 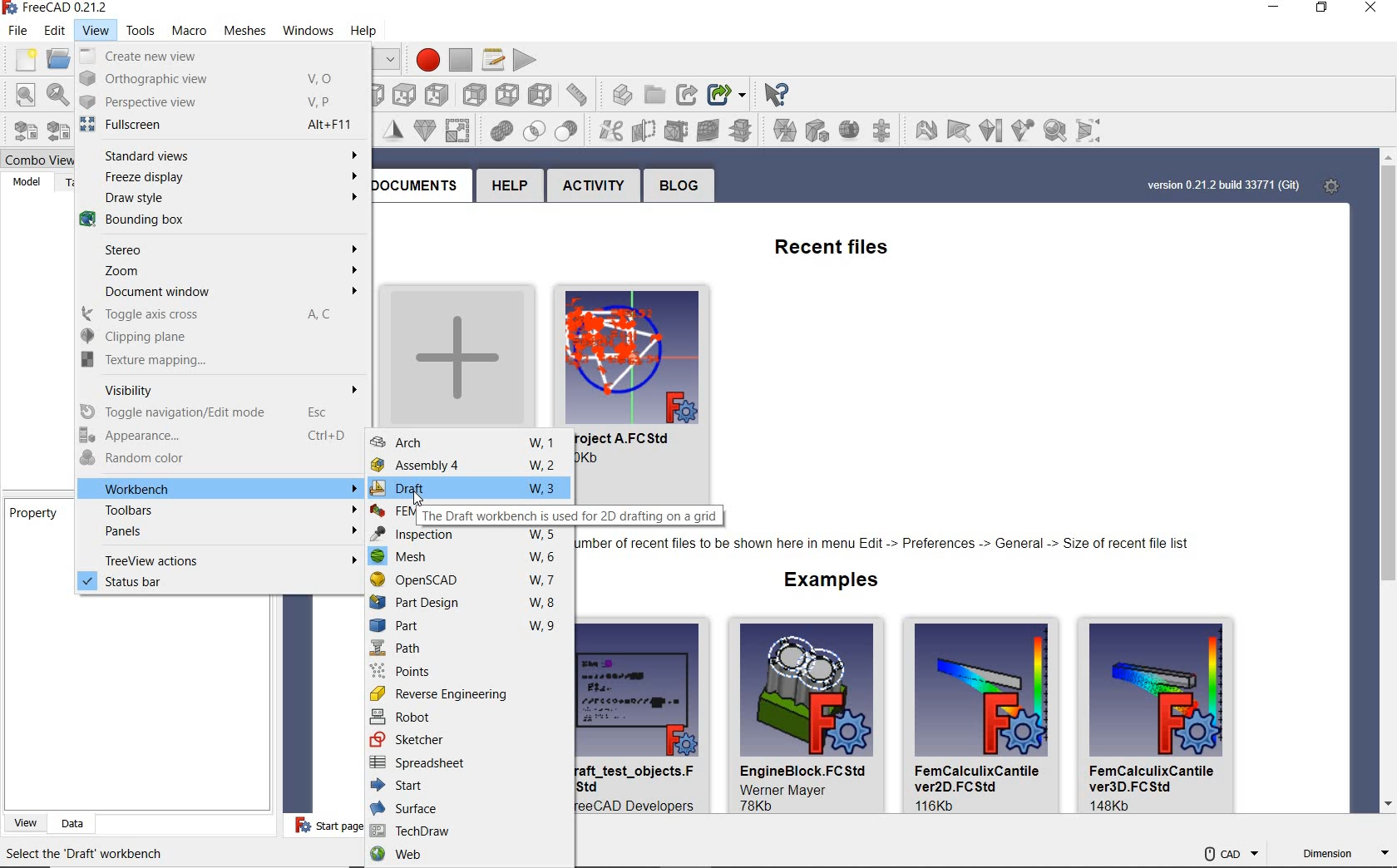 I want to click on bounding info, so click(x=1093, y=131).